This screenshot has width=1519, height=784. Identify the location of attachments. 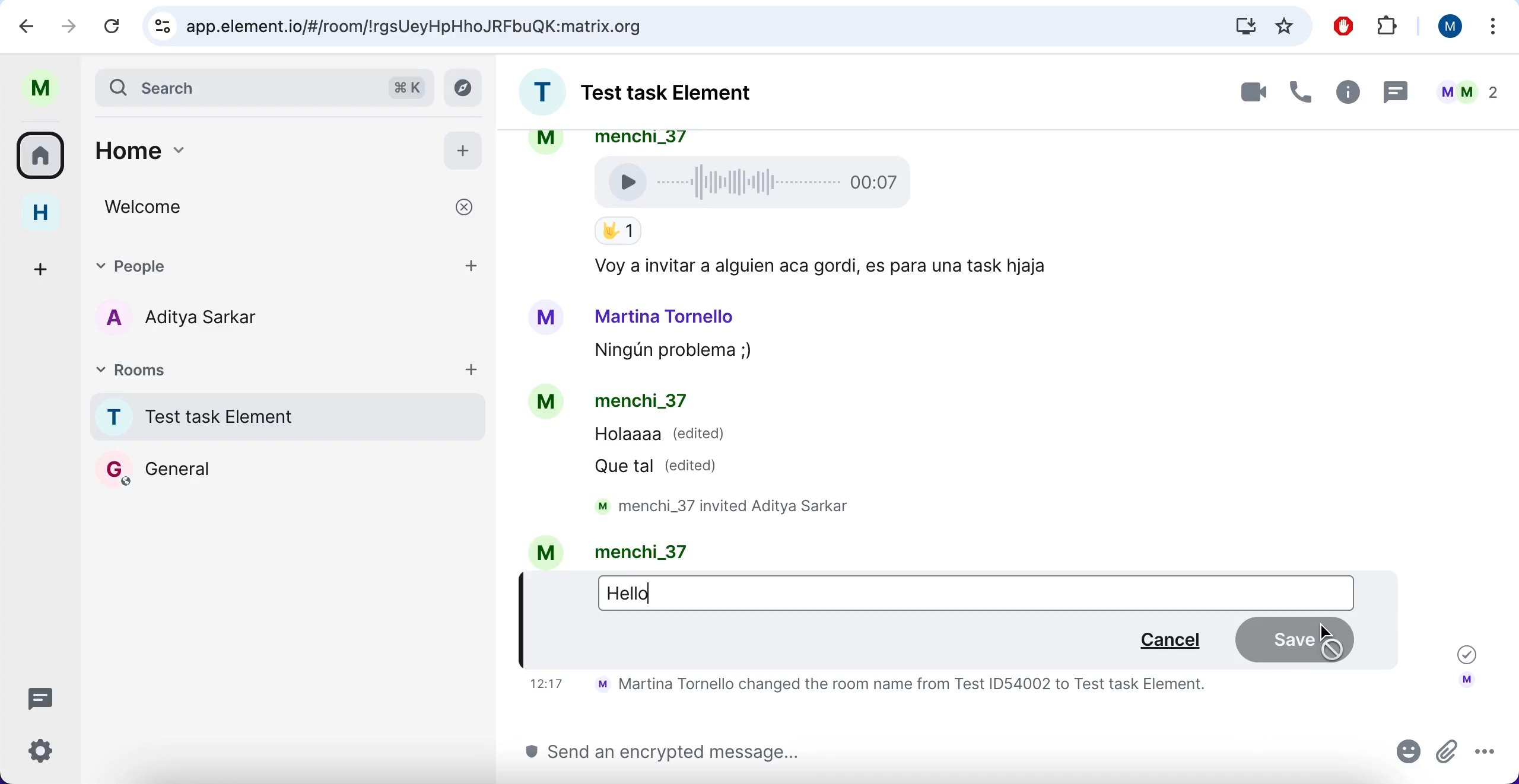
(1447, 758).